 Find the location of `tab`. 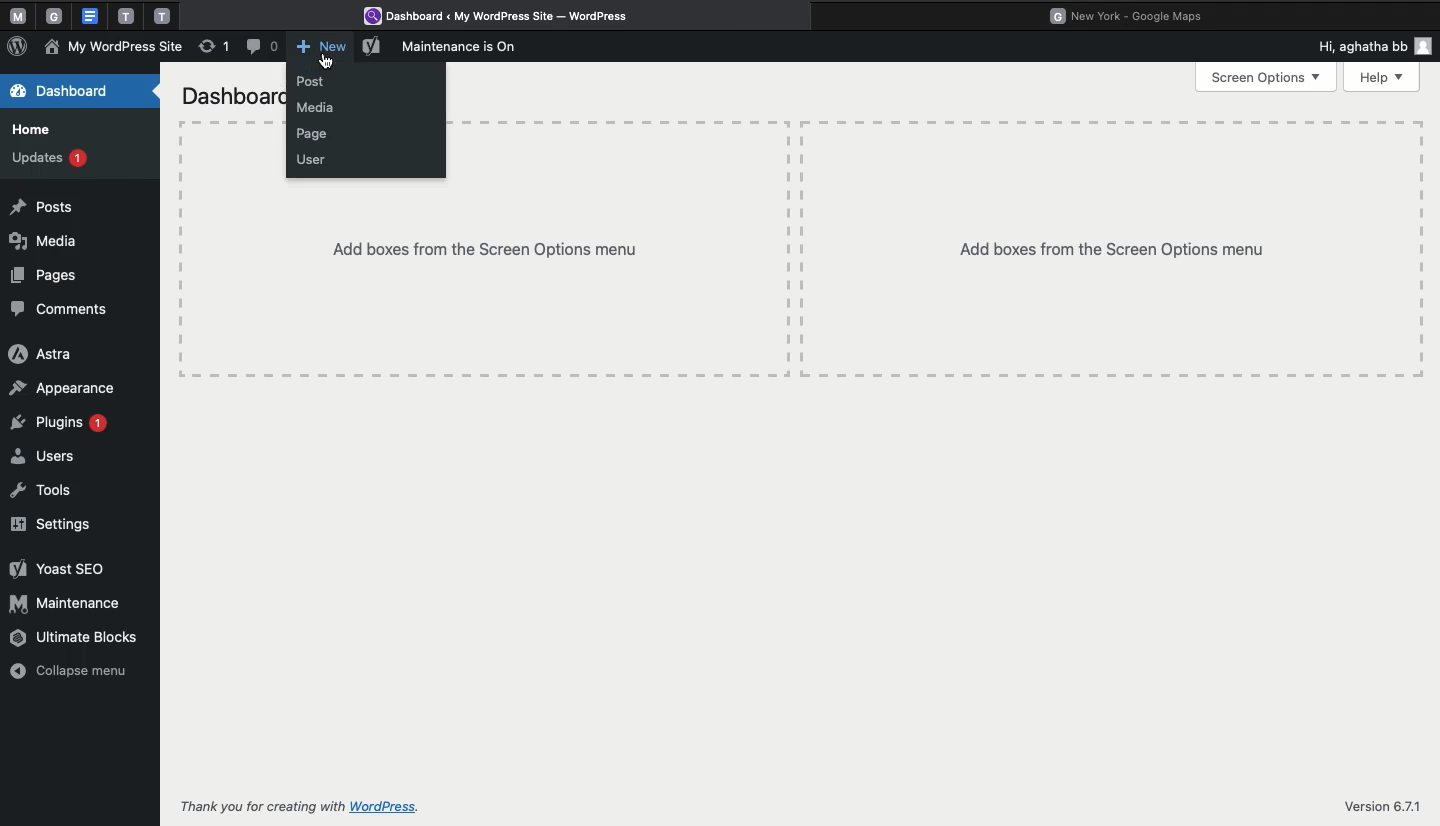

tab is located at coordinates (164, 15).